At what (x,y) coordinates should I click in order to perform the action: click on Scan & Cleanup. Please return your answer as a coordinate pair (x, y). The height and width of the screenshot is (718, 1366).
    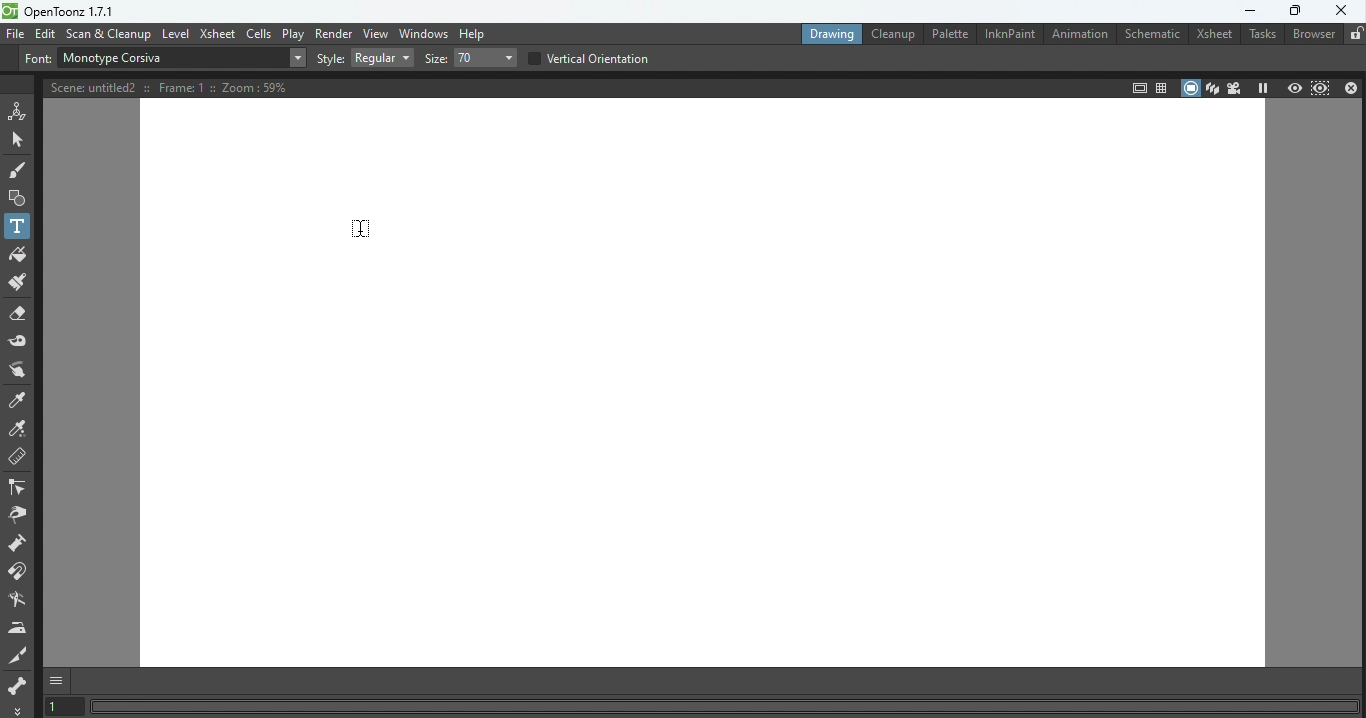
    Looking at the image, I should click on (110, 33).